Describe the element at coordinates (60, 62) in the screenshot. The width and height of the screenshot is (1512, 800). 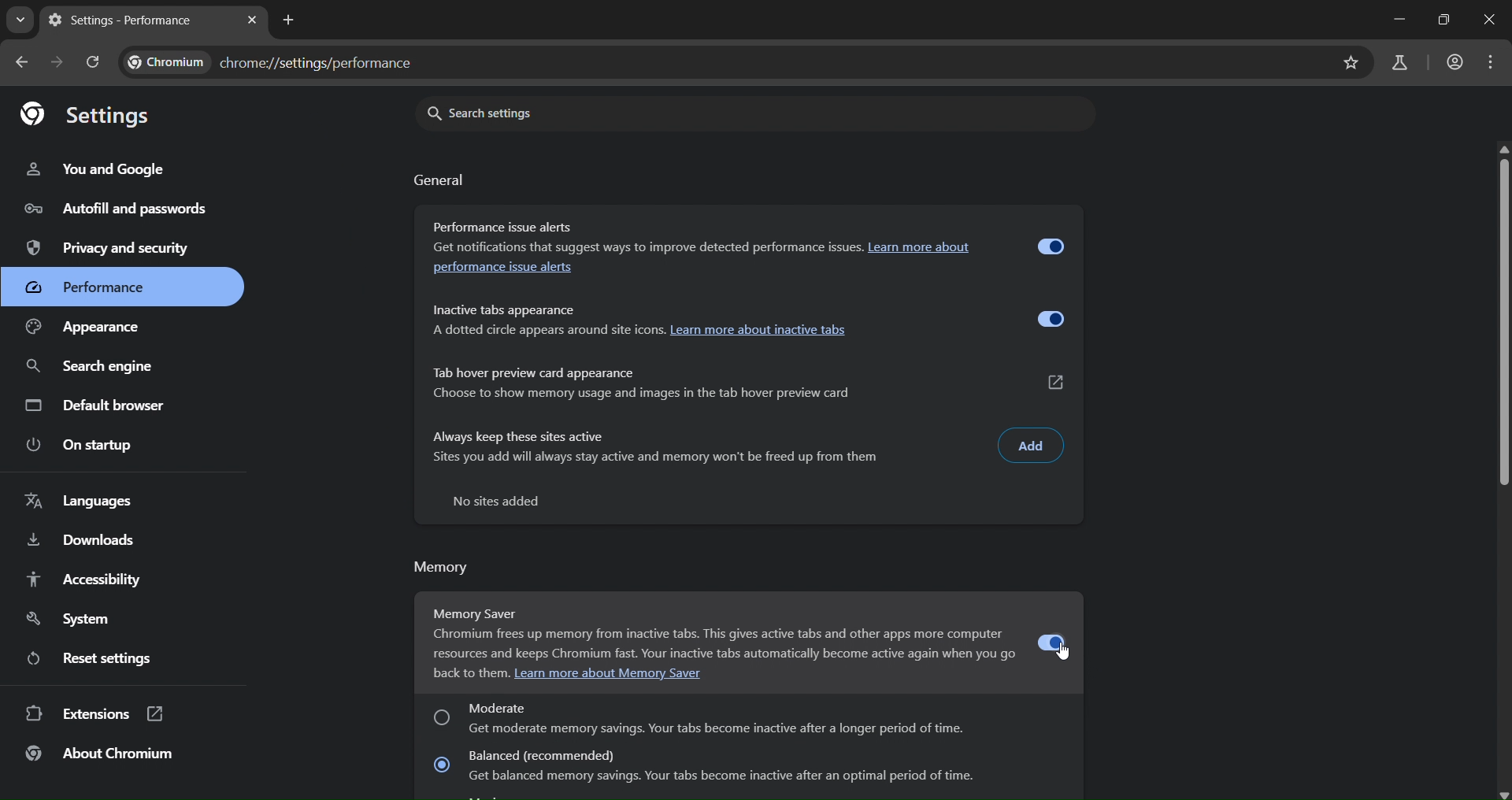
I see `go forward one page` at that location.